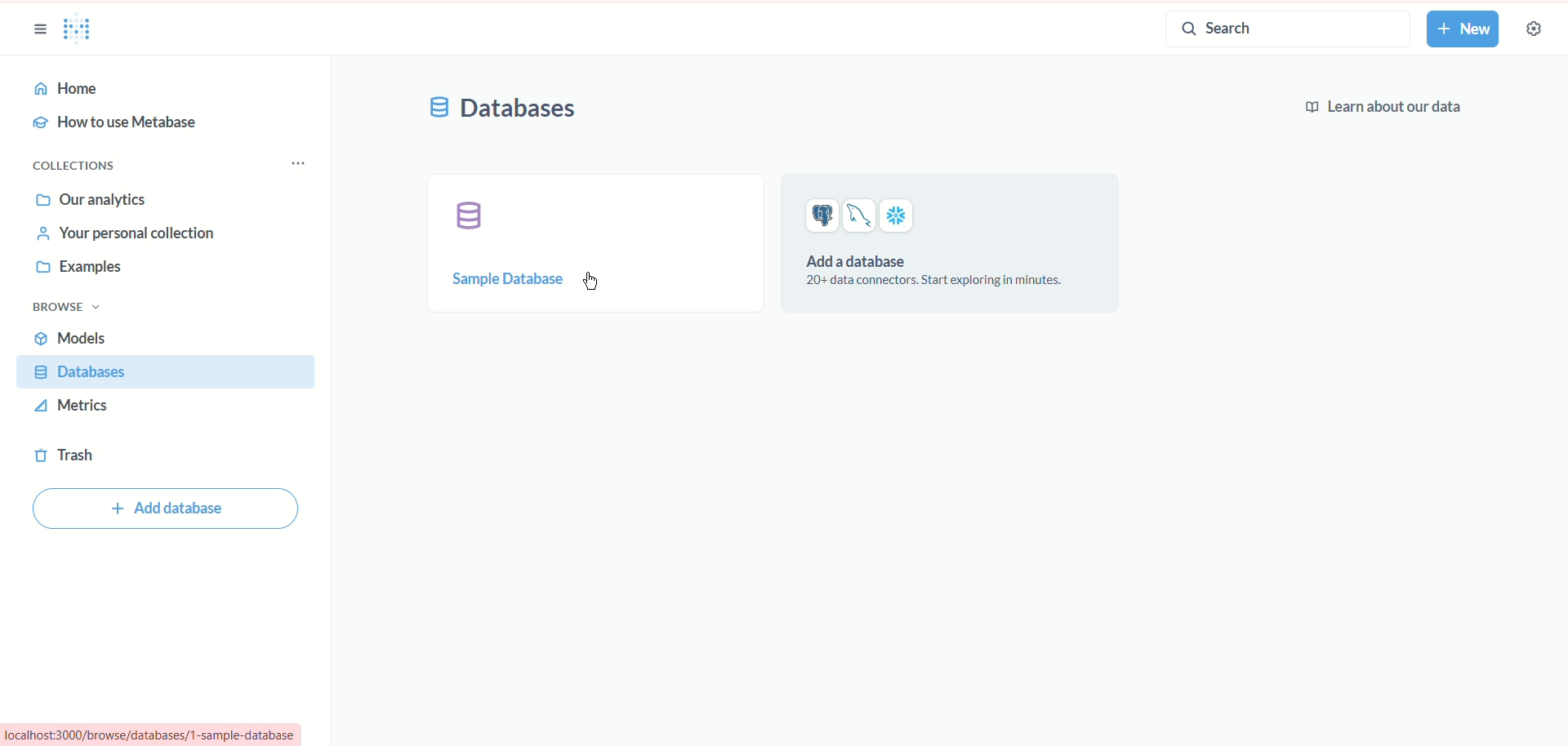  I want to click on metabase, so click(80, 31).